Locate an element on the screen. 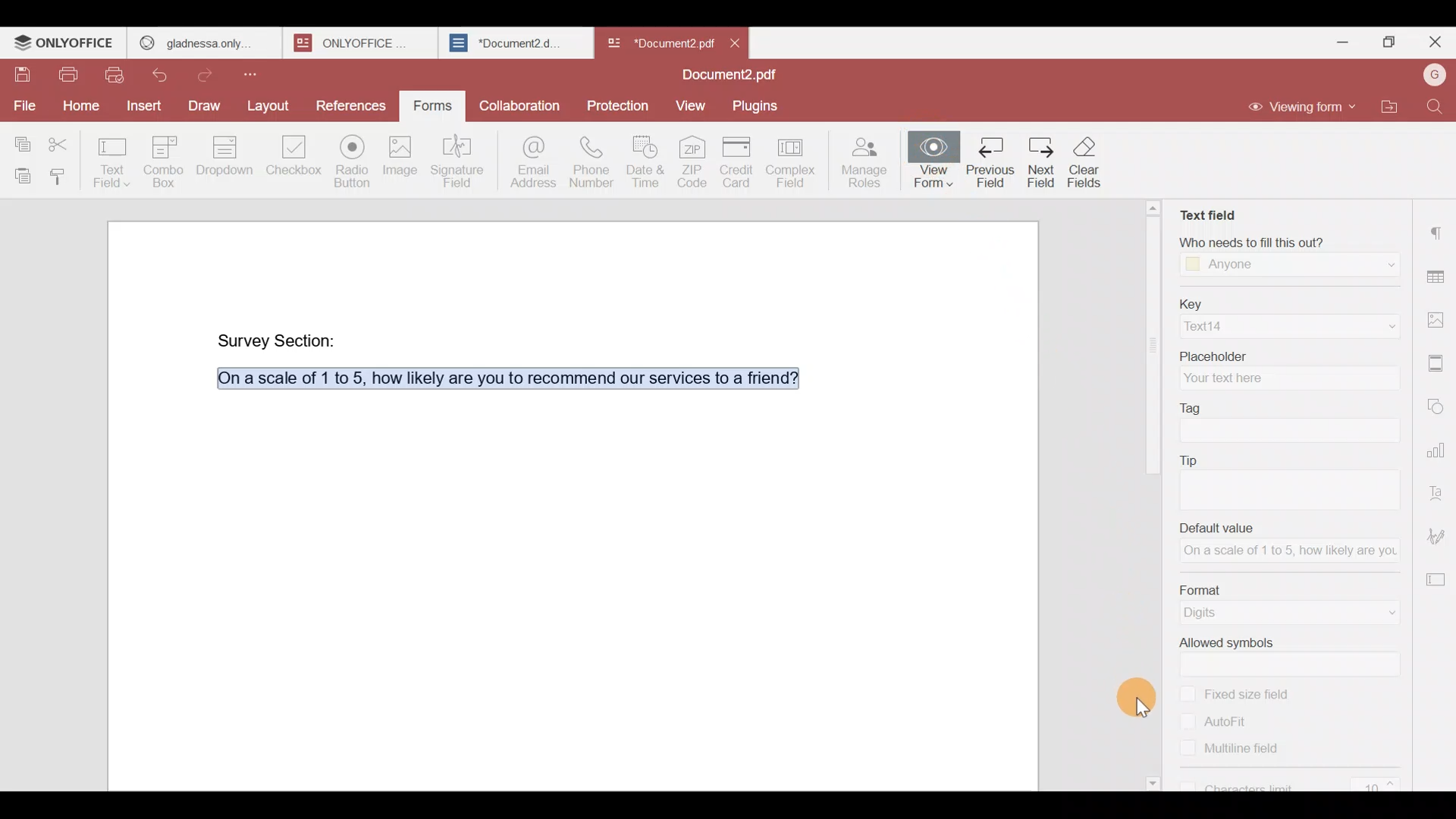 The image size is (1456, 819). Signature field is located at coordinates (461, 160).